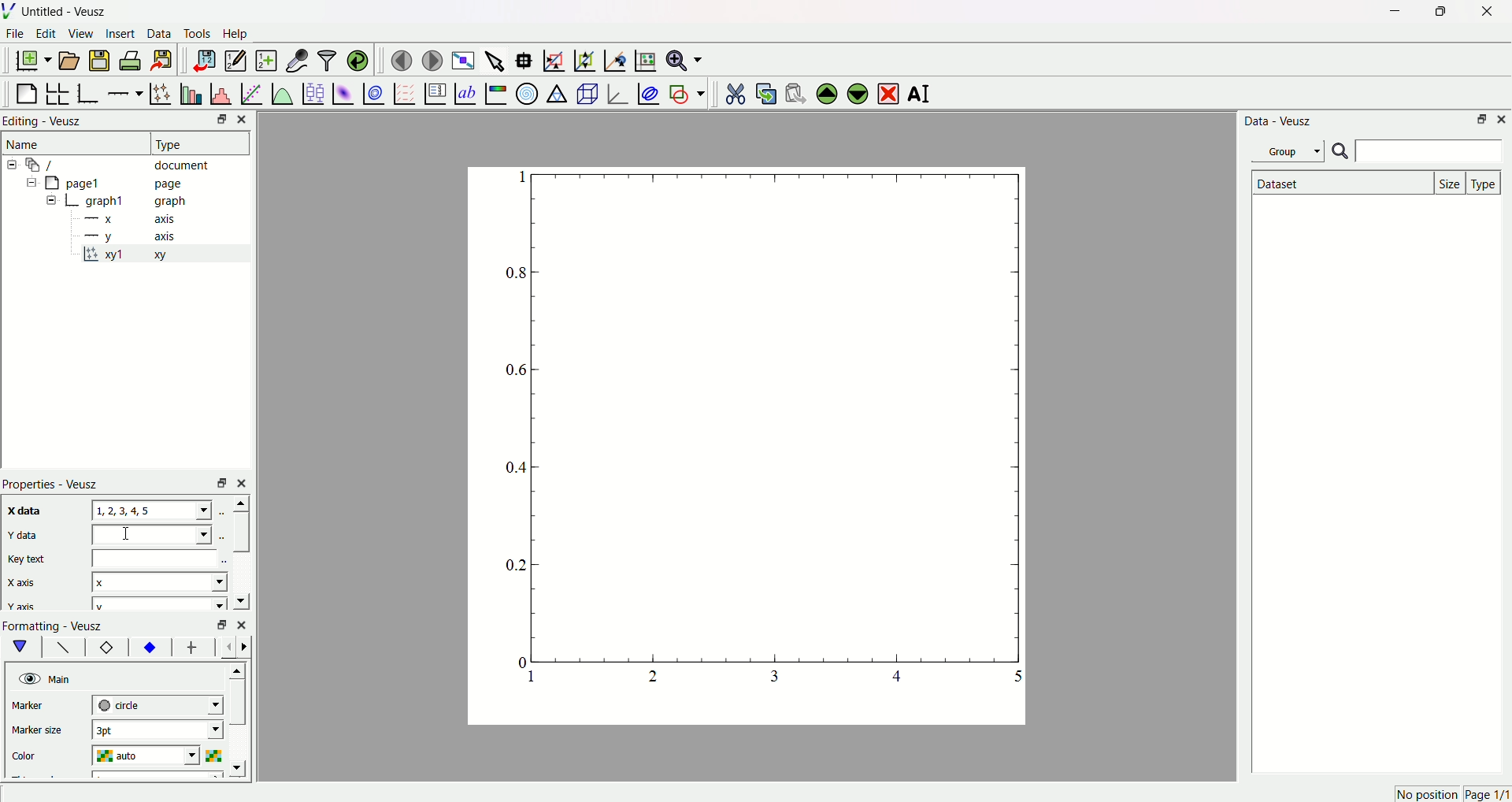 Image resolution: width=1512 pixels, height=802 pixels. I want to click on y, so click(156, 604).